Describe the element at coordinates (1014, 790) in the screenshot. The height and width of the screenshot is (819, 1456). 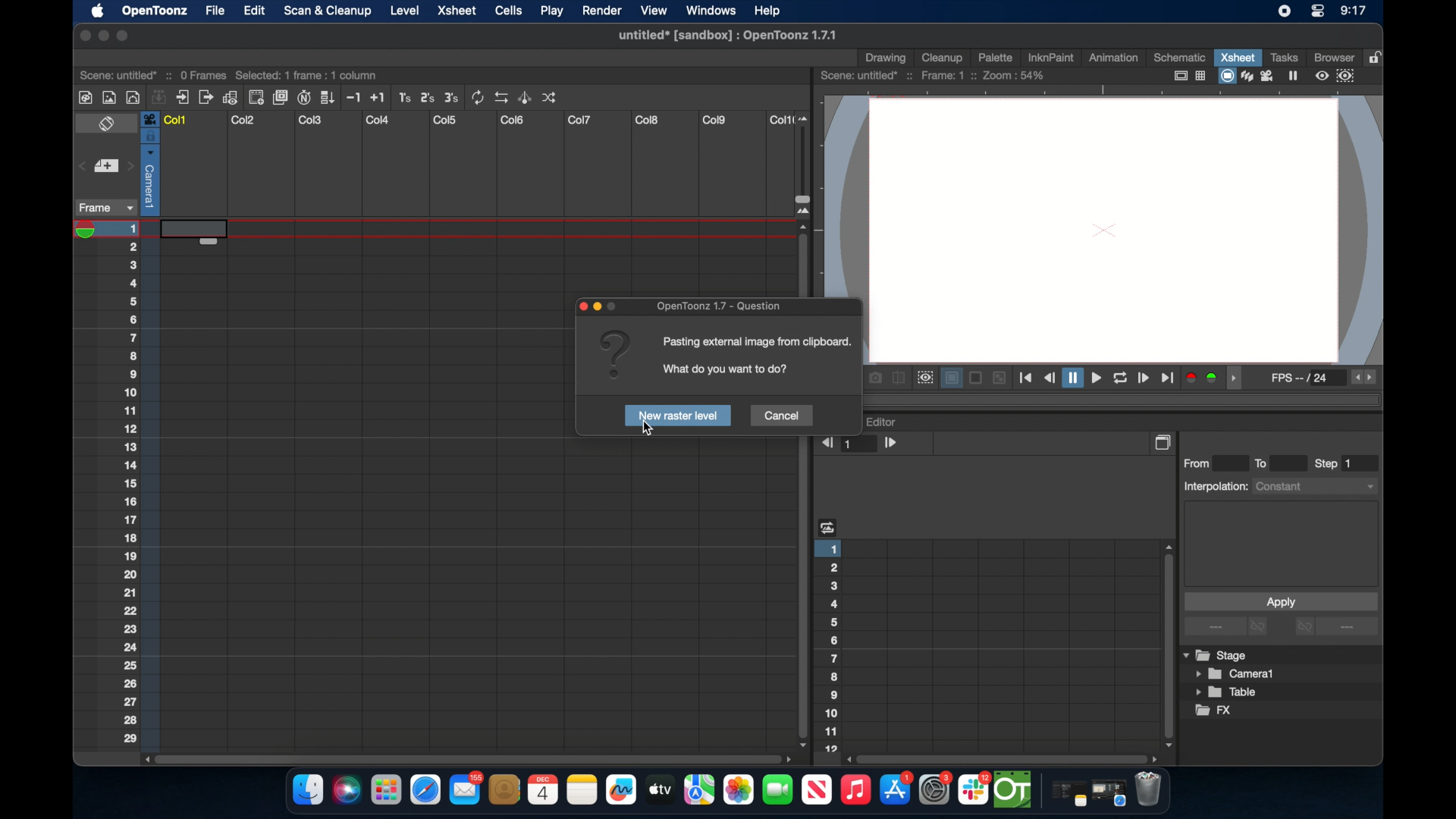
I see `opentoonz` at that location.